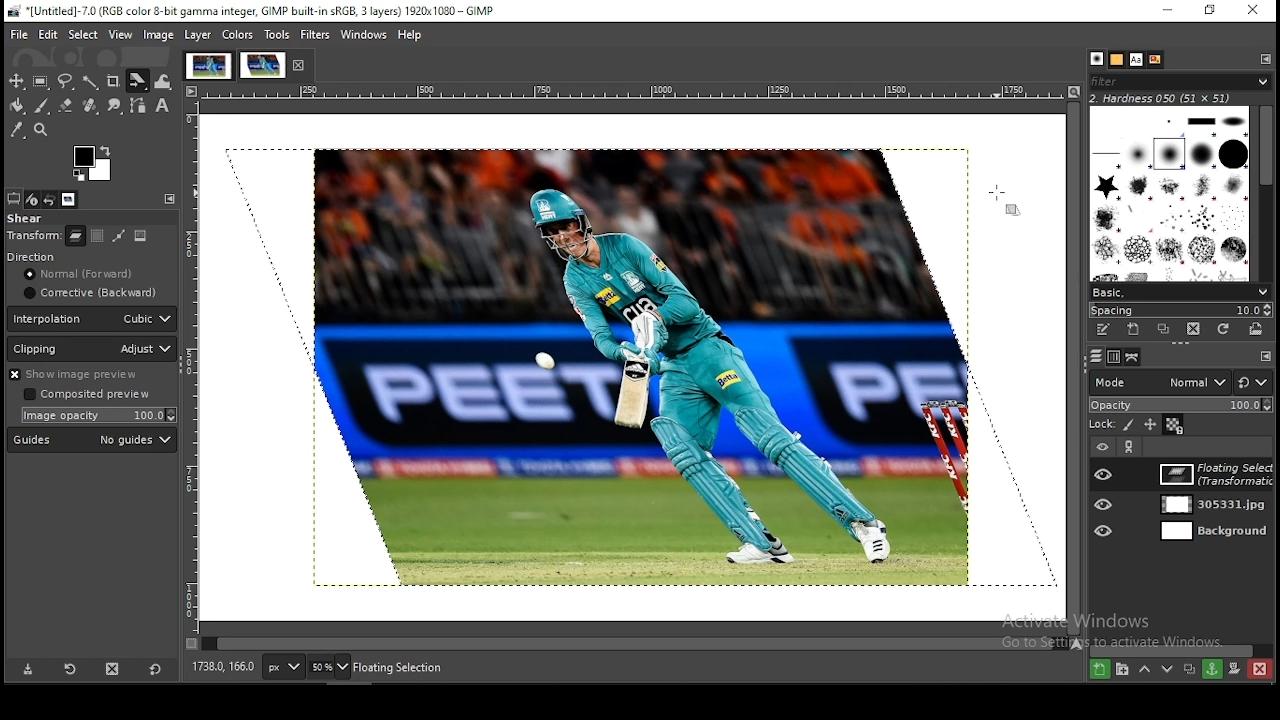 This screenshot has height=720, width=1280. I want to click on open brush as image, so click(1255, 331).